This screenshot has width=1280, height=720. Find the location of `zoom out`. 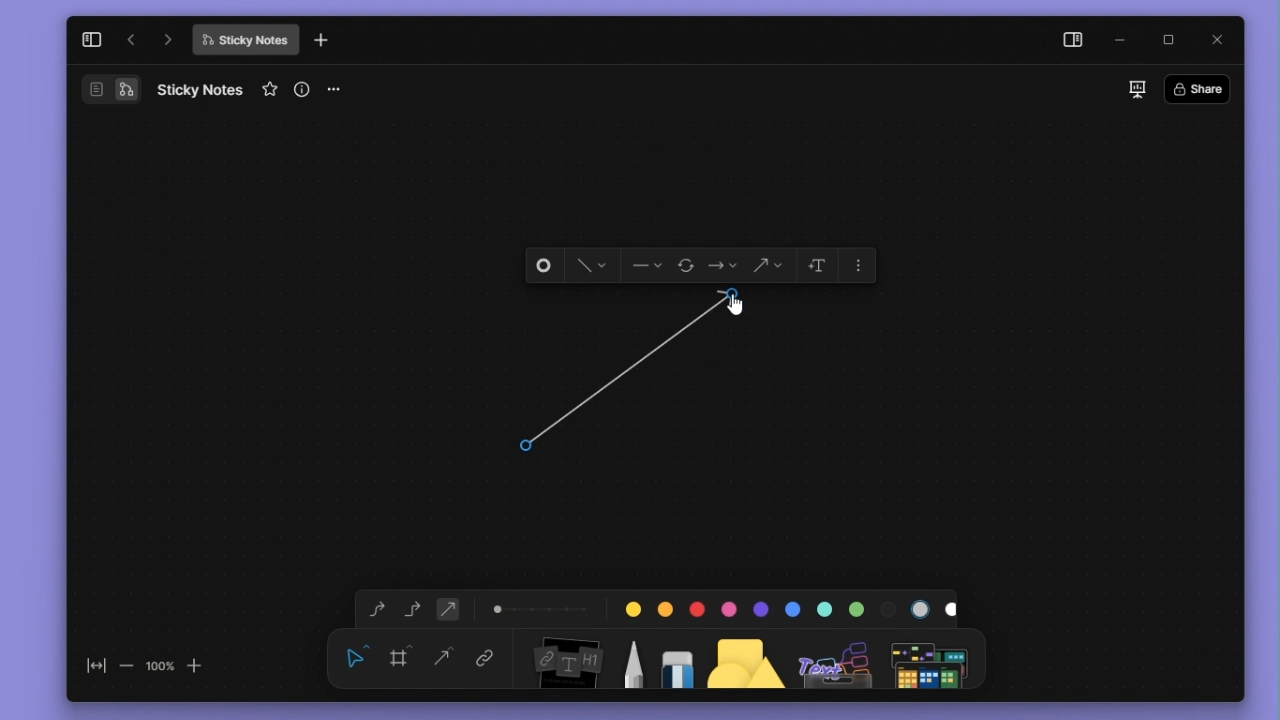

zoom out is located at coordinates (125, 665).